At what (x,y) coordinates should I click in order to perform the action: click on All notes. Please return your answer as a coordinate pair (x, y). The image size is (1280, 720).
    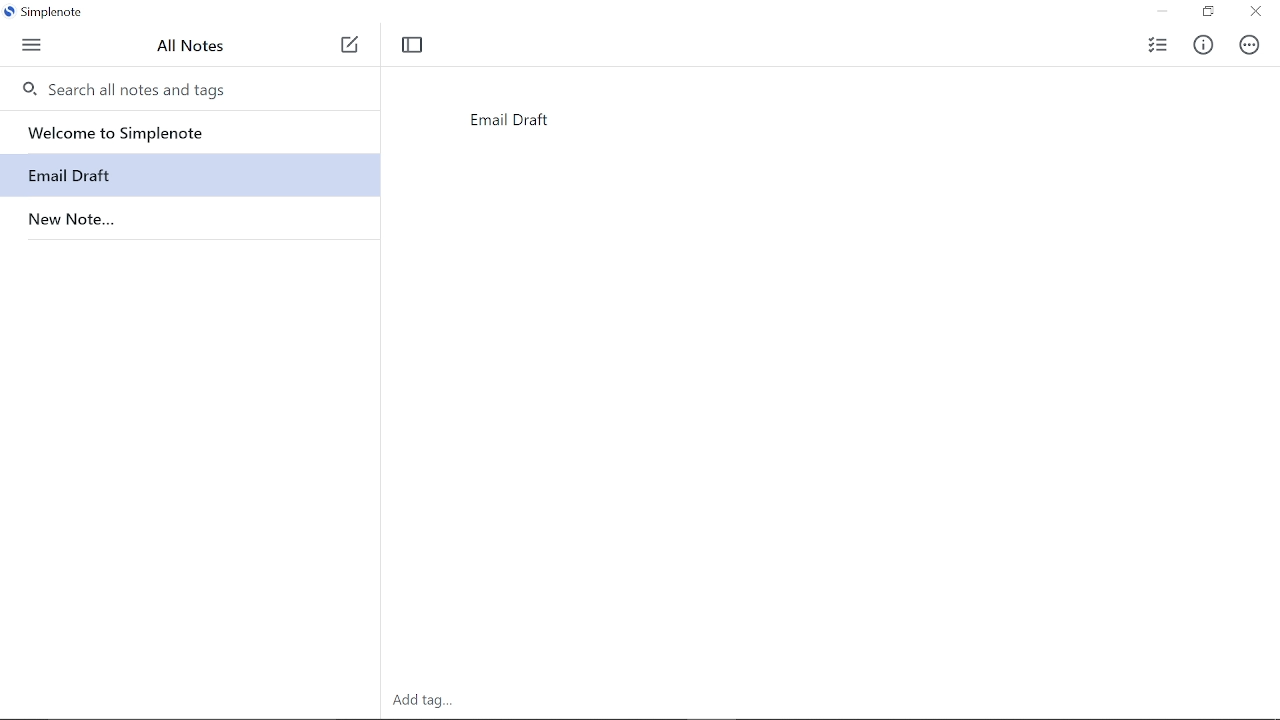
    Looking at the image, I should click on (217, 46).